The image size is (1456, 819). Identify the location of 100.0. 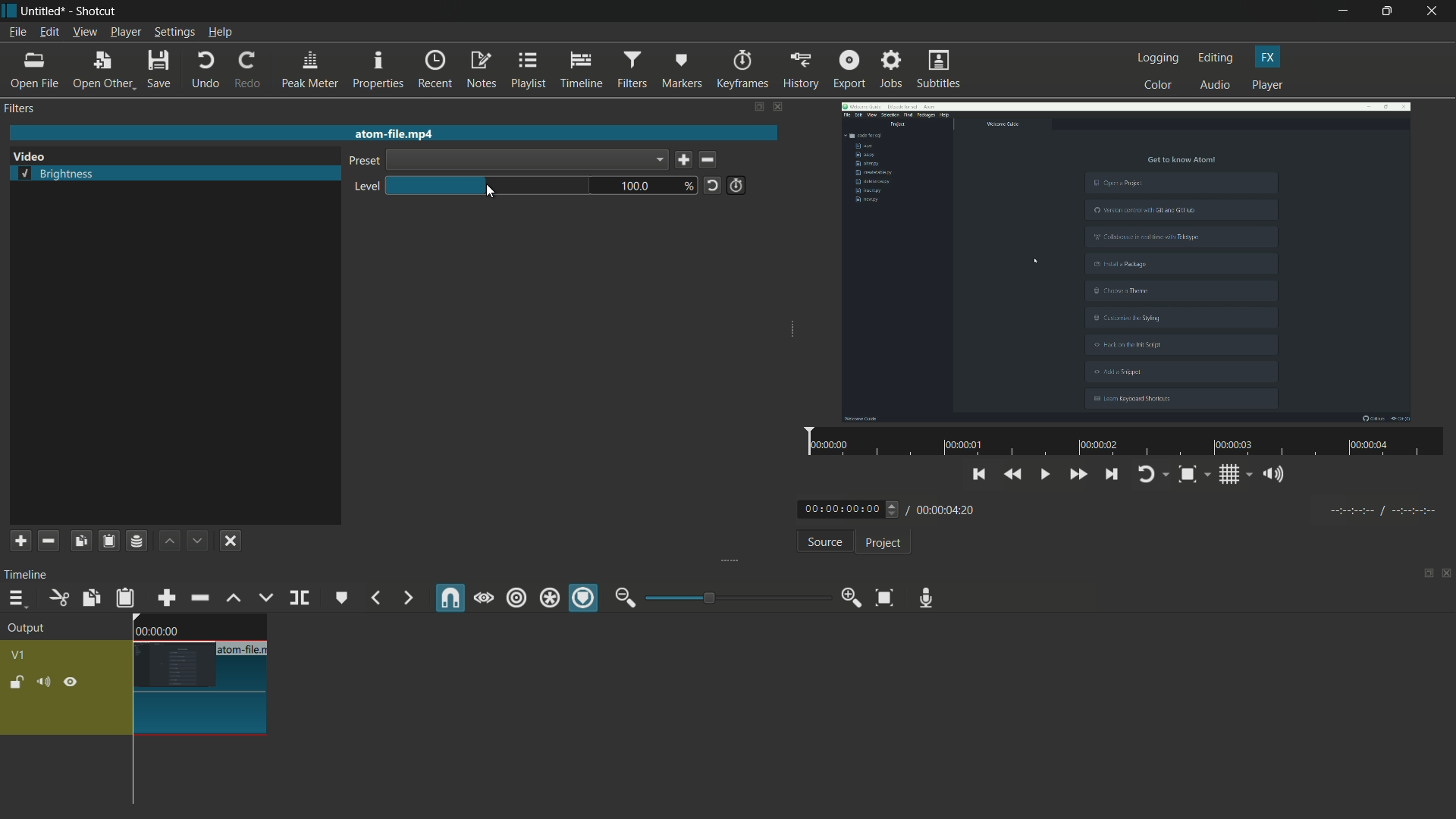
(639, 187).